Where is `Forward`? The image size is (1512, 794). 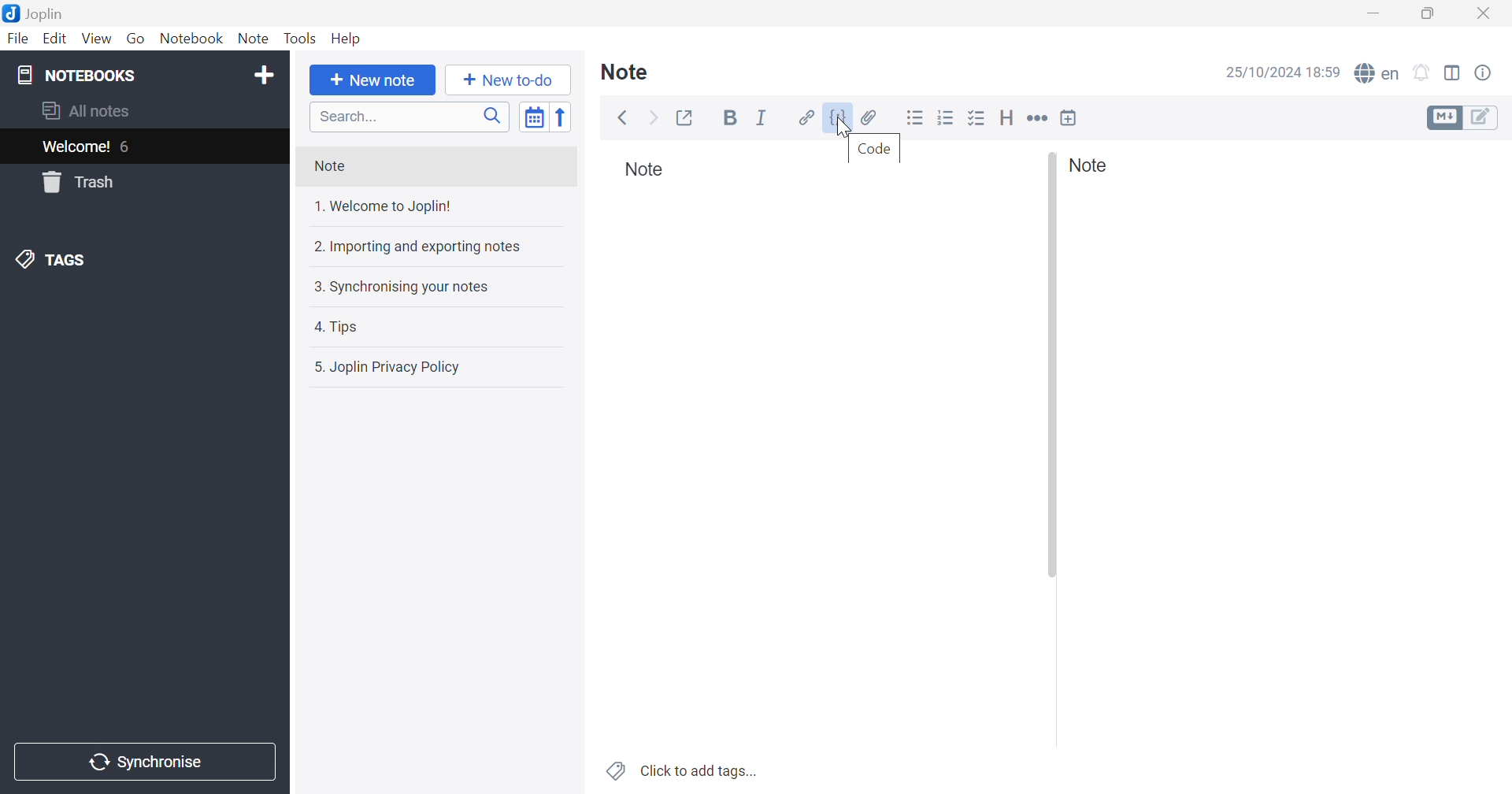 Forward is located at coordinates (651, 118).